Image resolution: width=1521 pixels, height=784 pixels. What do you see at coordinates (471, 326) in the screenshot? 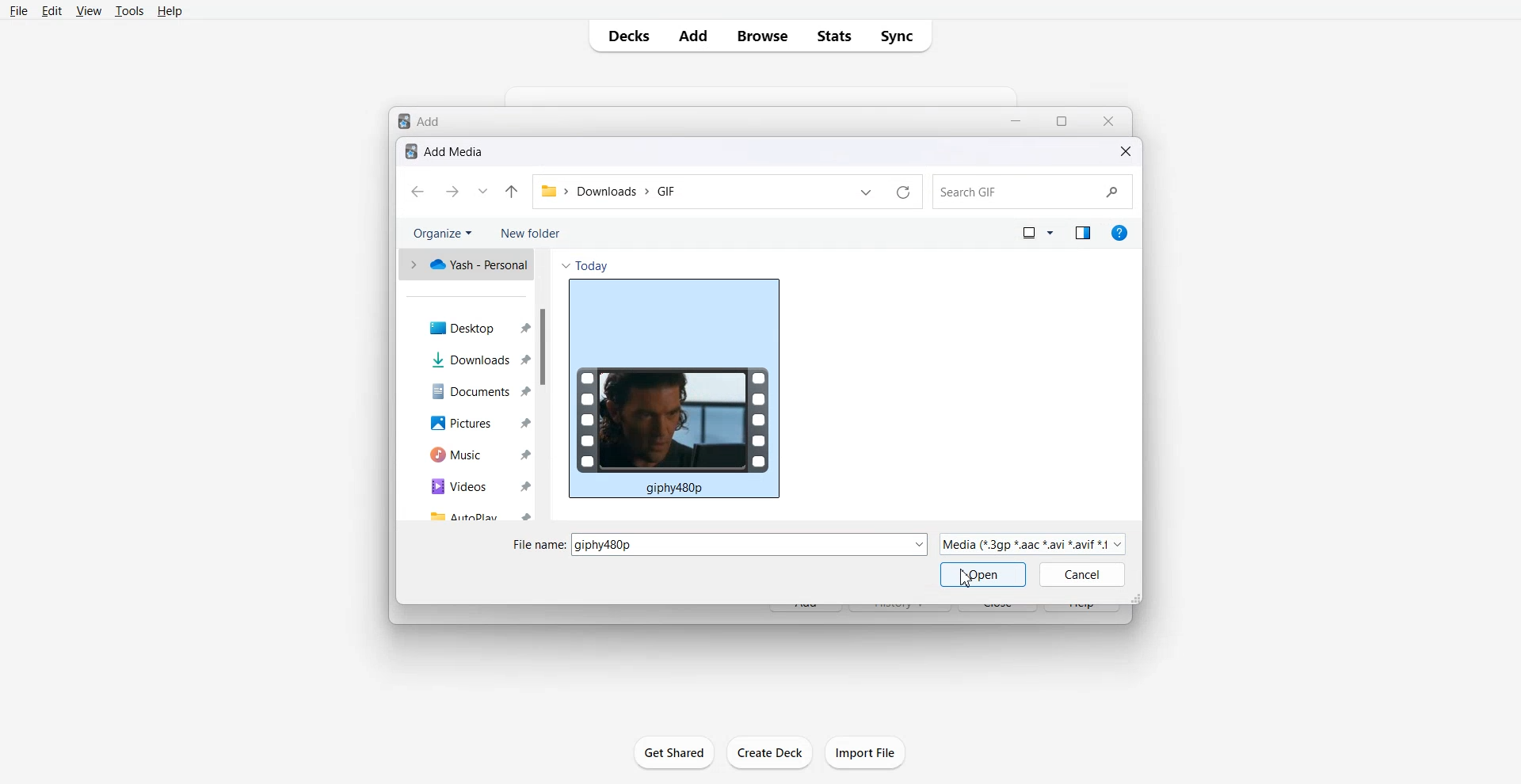
I see `Desktop` at bounding box center [471, 326].